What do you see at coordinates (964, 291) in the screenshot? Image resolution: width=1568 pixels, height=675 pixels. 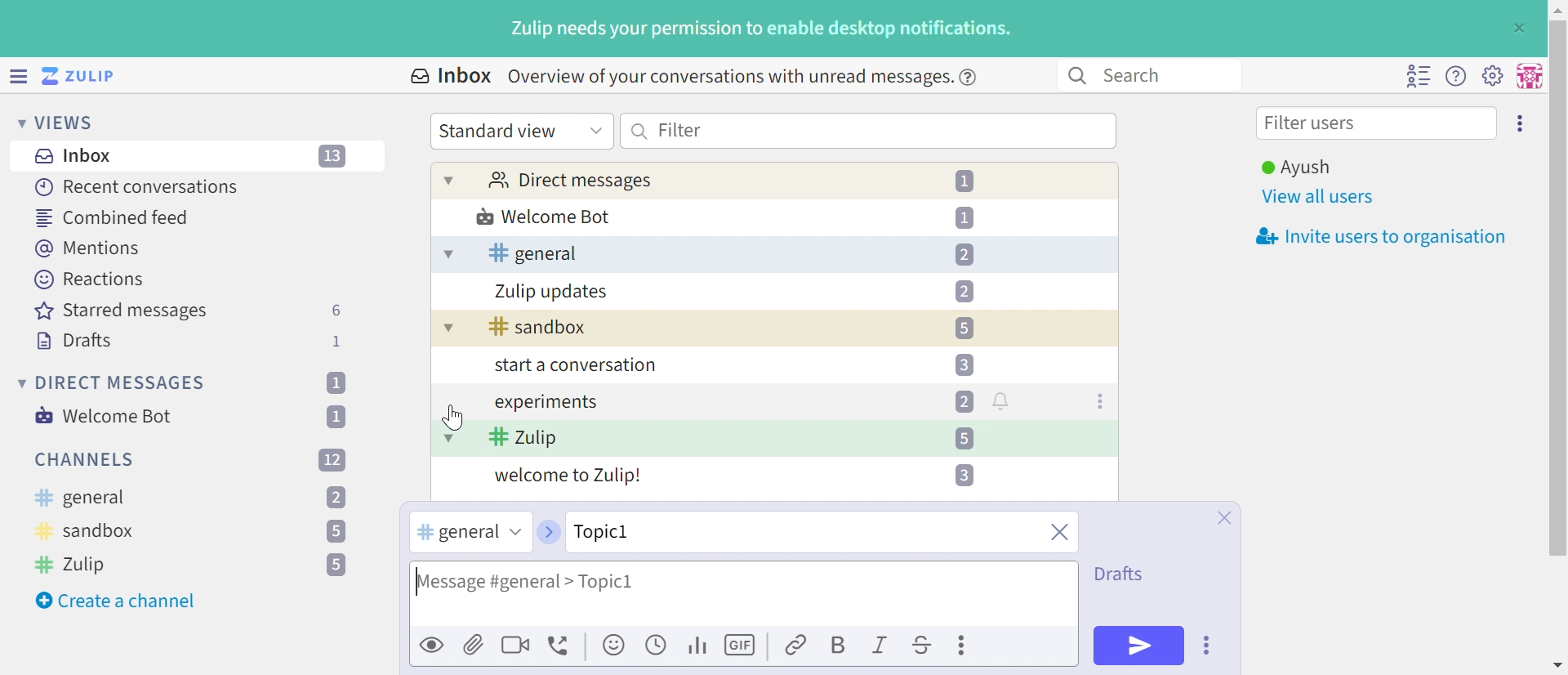 I see `2` at bounding box center [964, 291].